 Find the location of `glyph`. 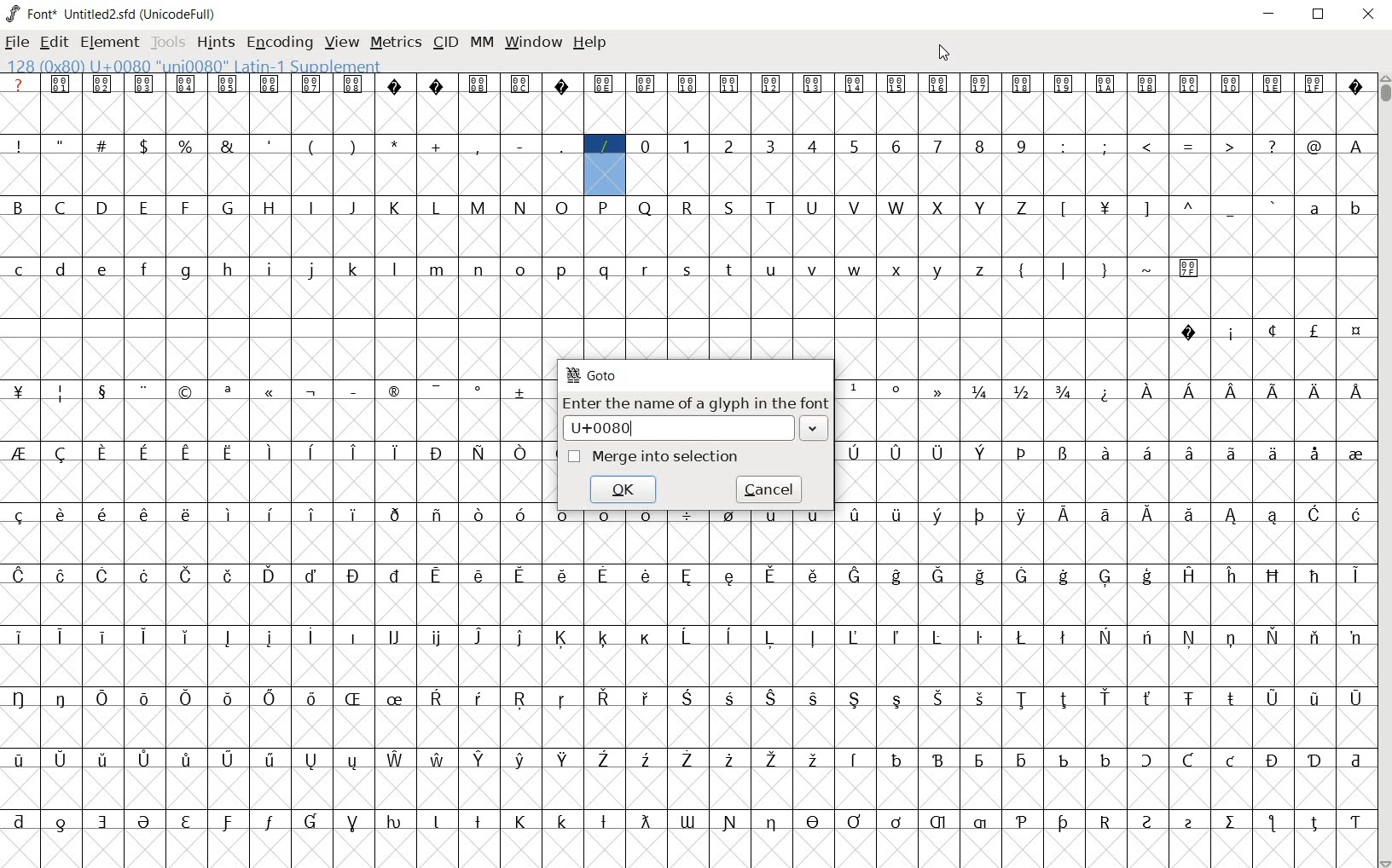

glyph is located at coordinates (686, 697).